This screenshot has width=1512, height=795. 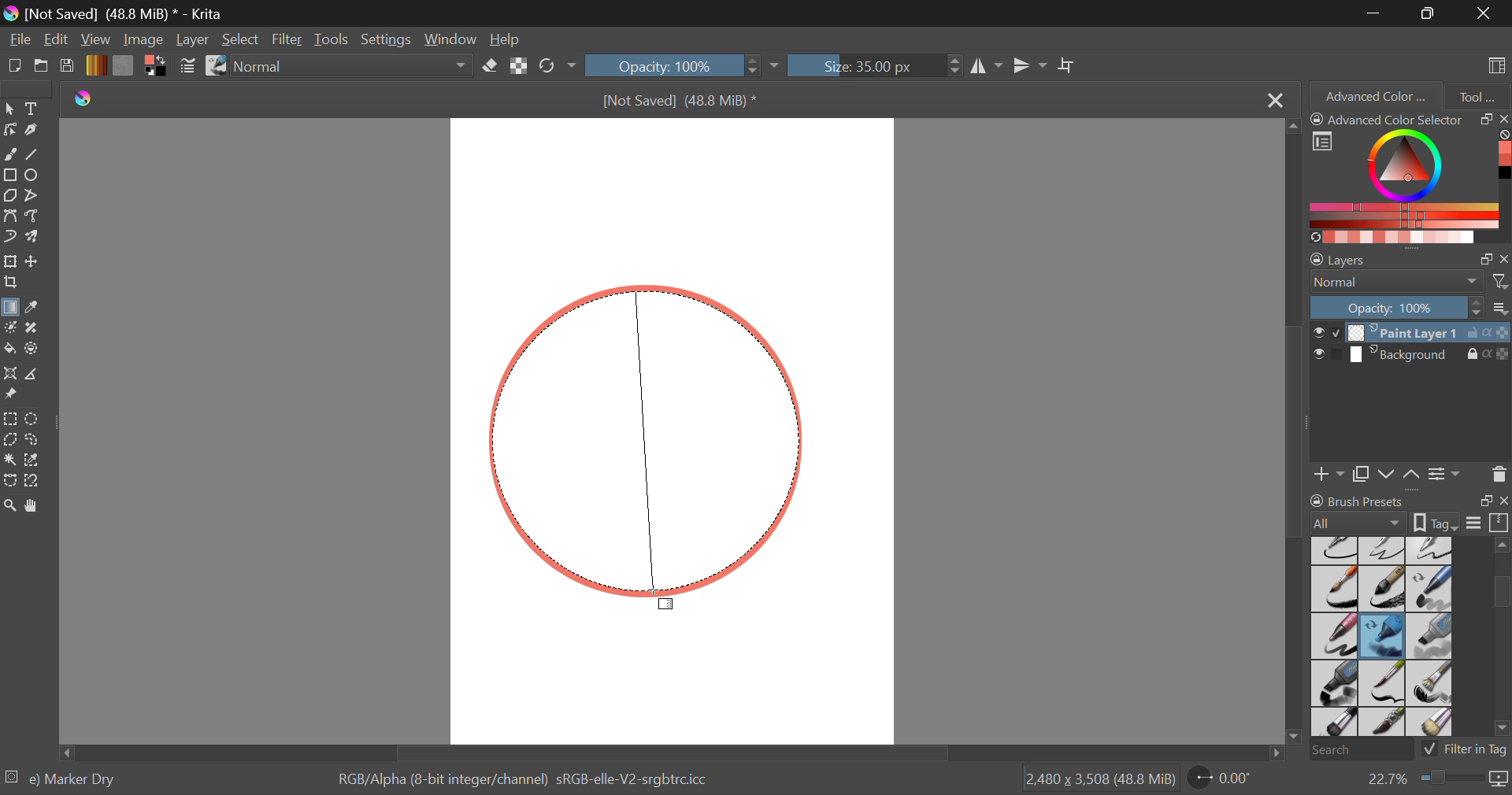 What do you see at coordinates (669, 596) in the screenshot?
I see `MOUSE_UP Cursor Position` at bounding box center [669, 596].